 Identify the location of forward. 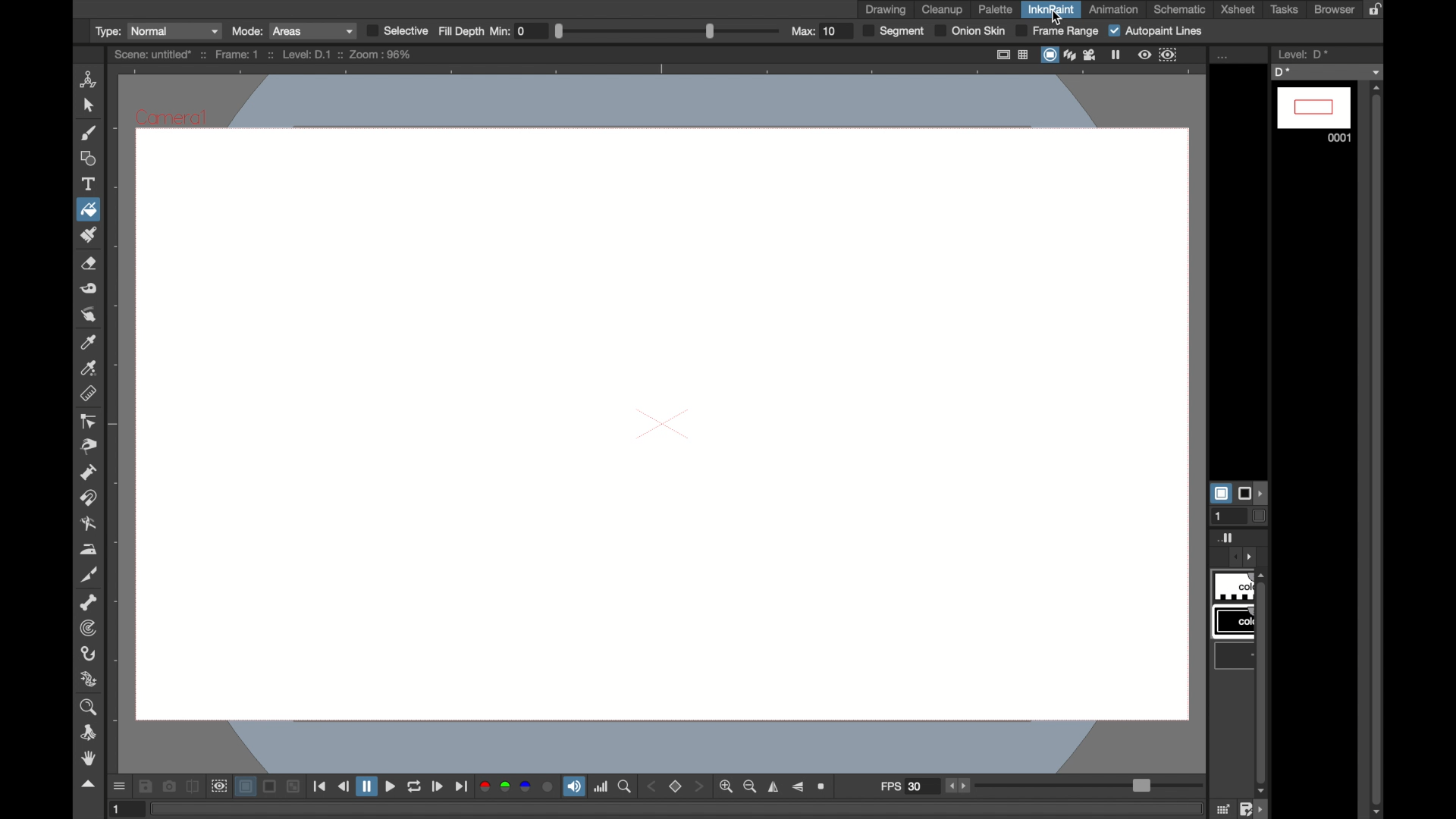
(391, 787).